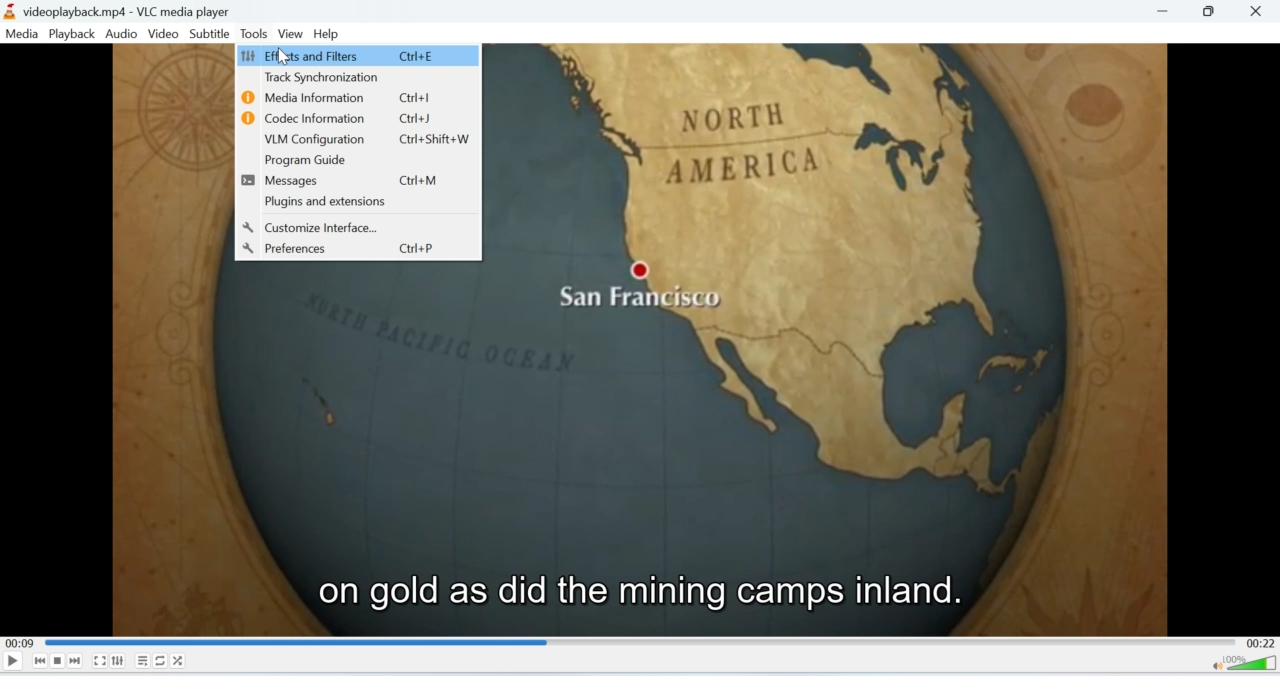  What do you see at coordinates (432, 139) in the screenshot?
I see `Ctrl+Shift+W` at bounding box center [432, 139].